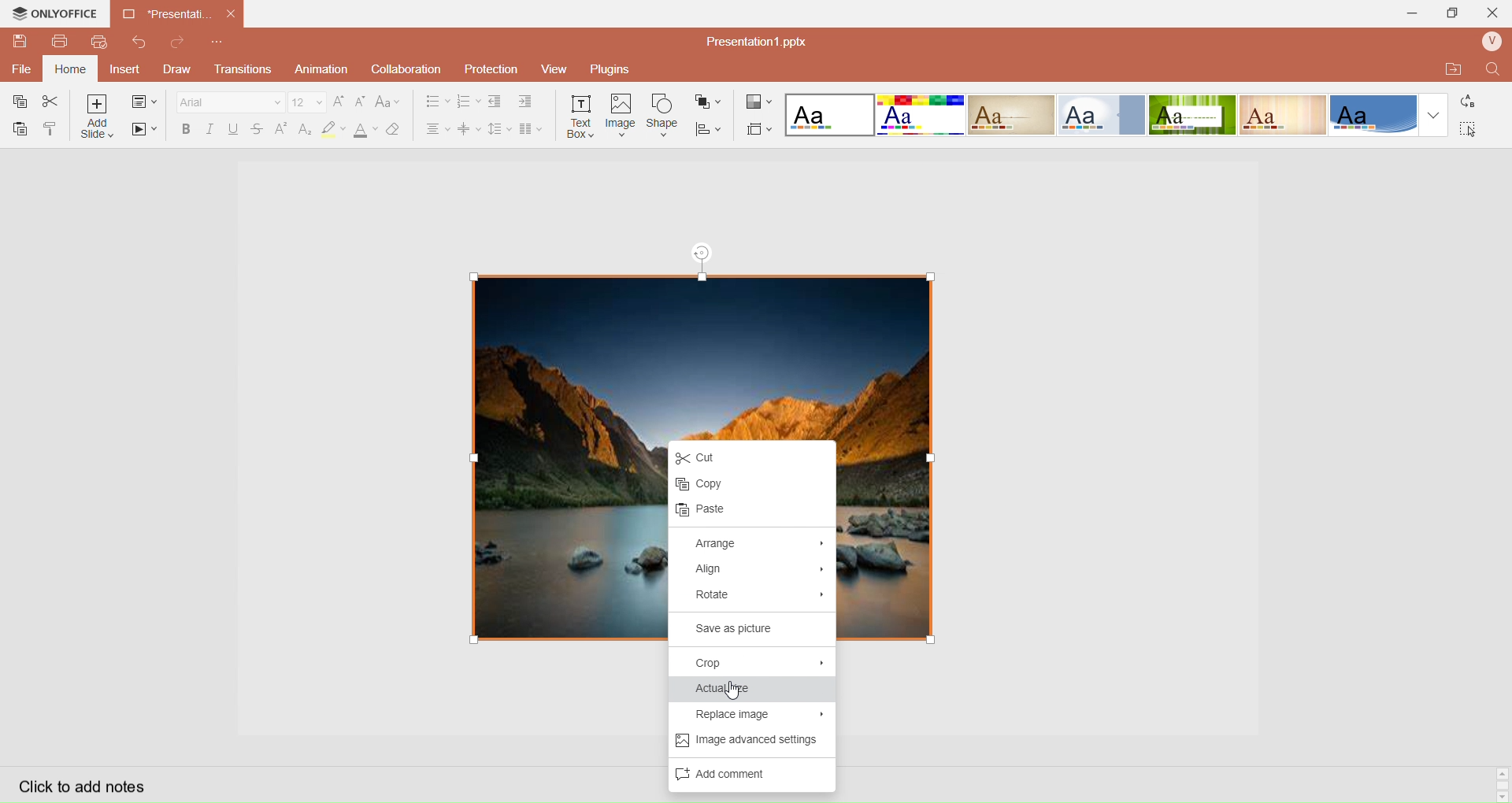  I want to click on change slide layout, so click(142, 101).